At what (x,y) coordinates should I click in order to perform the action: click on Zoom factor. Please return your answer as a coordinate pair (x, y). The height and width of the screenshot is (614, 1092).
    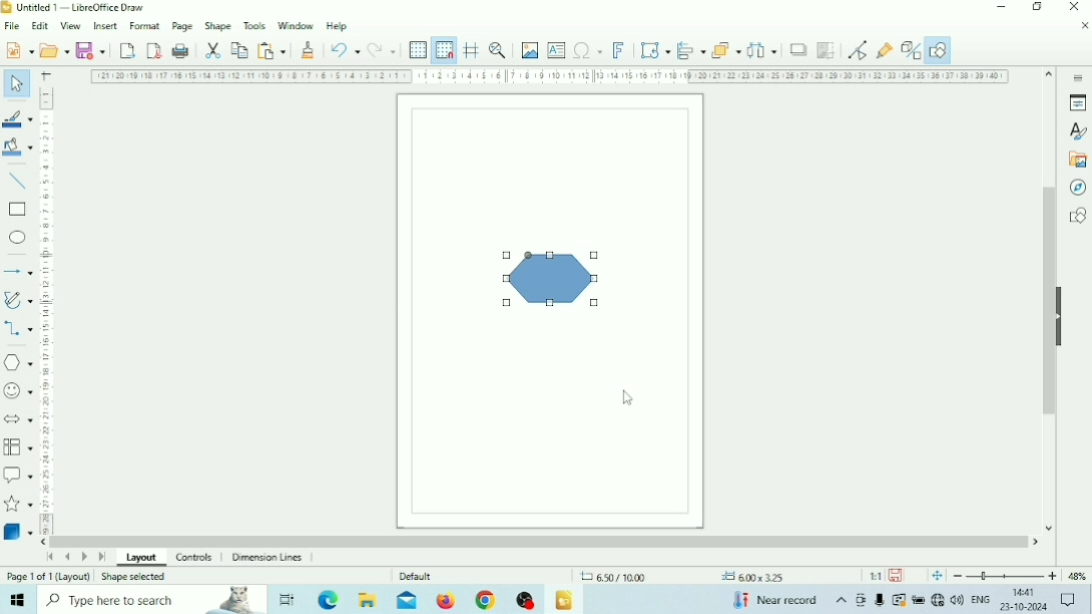
    Looking at the image, I should click on (1077, 576).